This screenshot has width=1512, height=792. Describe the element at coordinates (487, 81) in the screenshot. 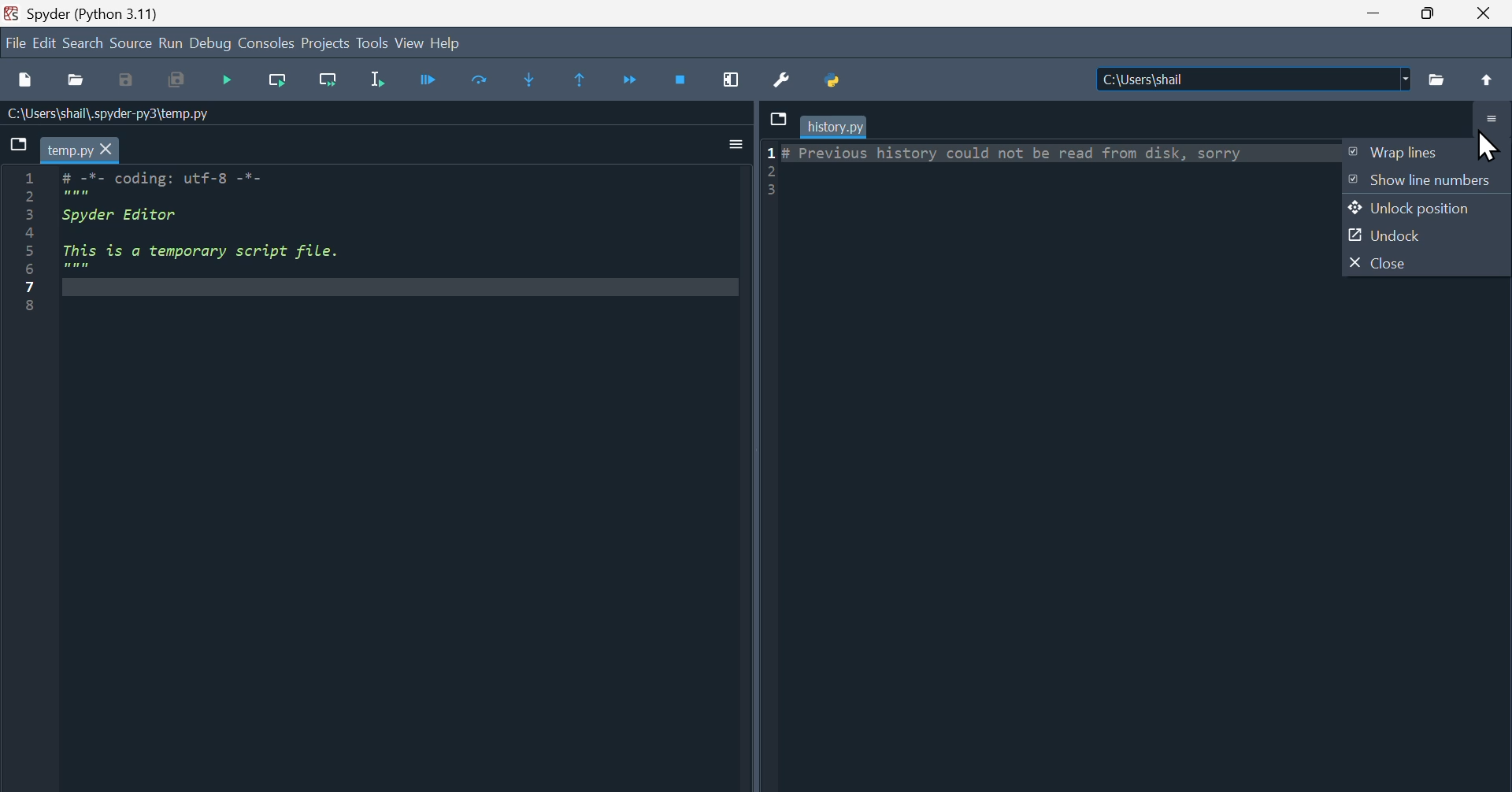

I see `Run current cell` at that location.